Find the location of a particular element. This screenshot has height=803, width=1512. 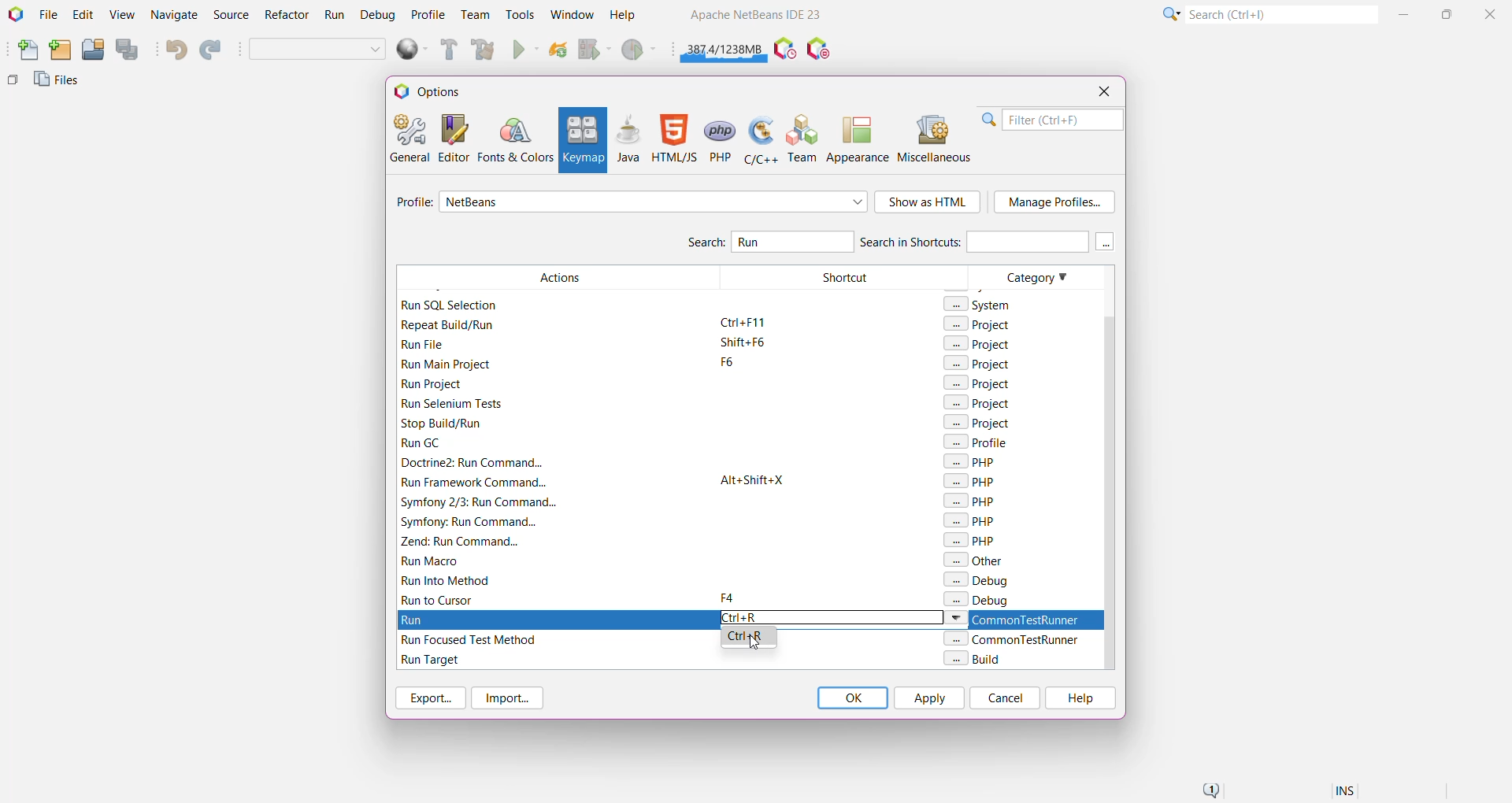

Window is located at coordinates (572, 14).